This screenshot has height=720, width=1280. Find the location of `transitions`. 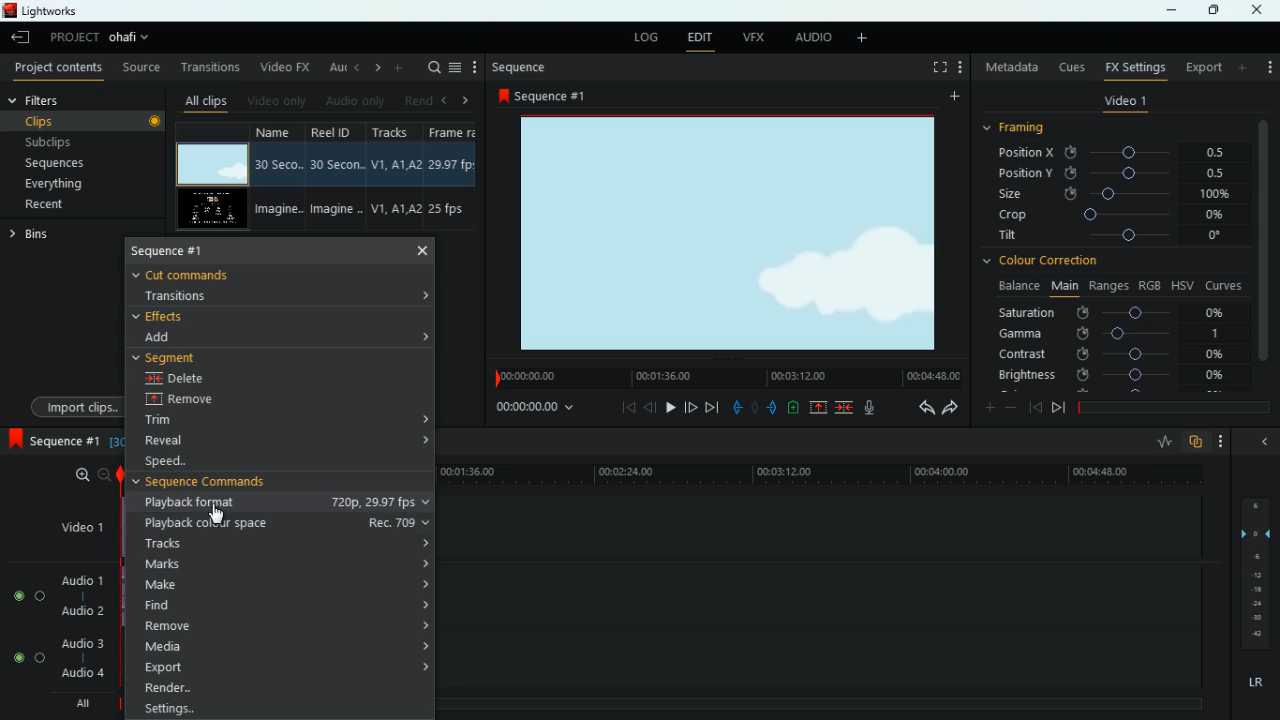

transitions is located at coordinates (208, 66).